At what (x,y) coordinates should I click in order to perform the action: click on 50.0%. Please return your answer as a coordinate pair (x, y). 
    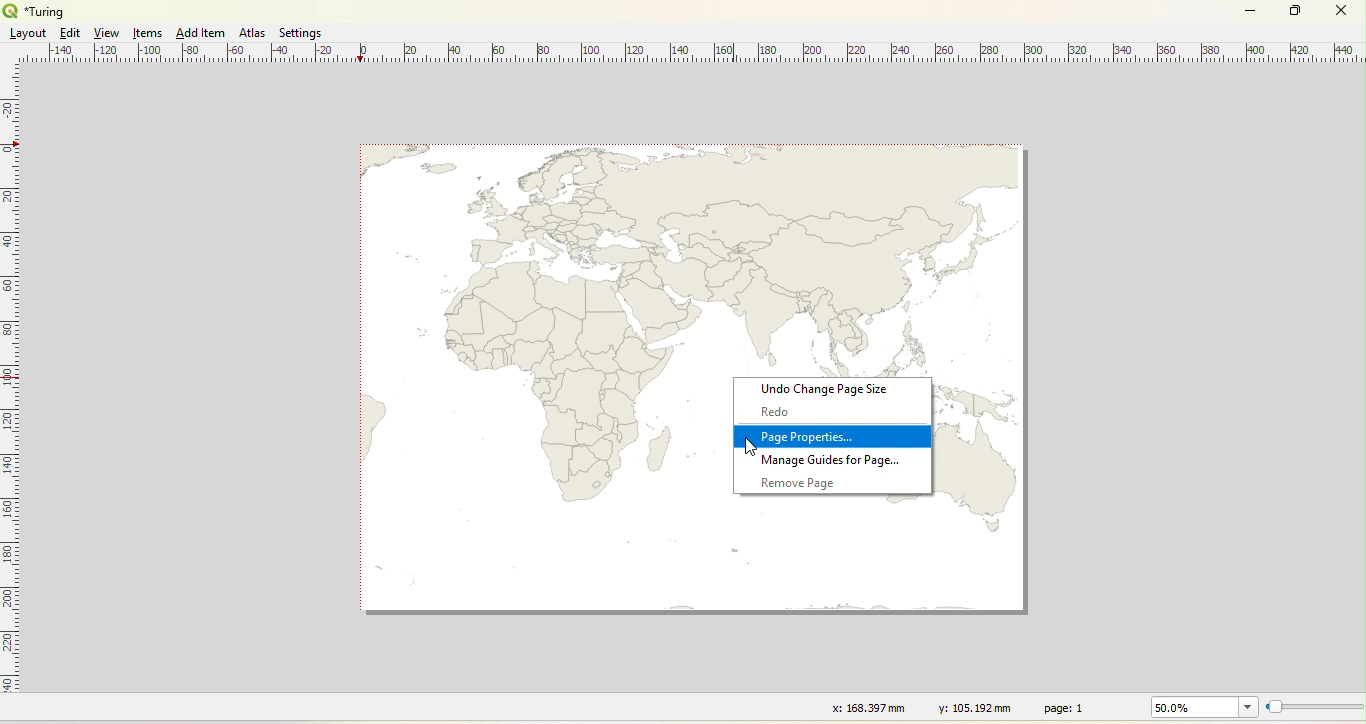
    Looking at the image, I should click on (1201, 707).